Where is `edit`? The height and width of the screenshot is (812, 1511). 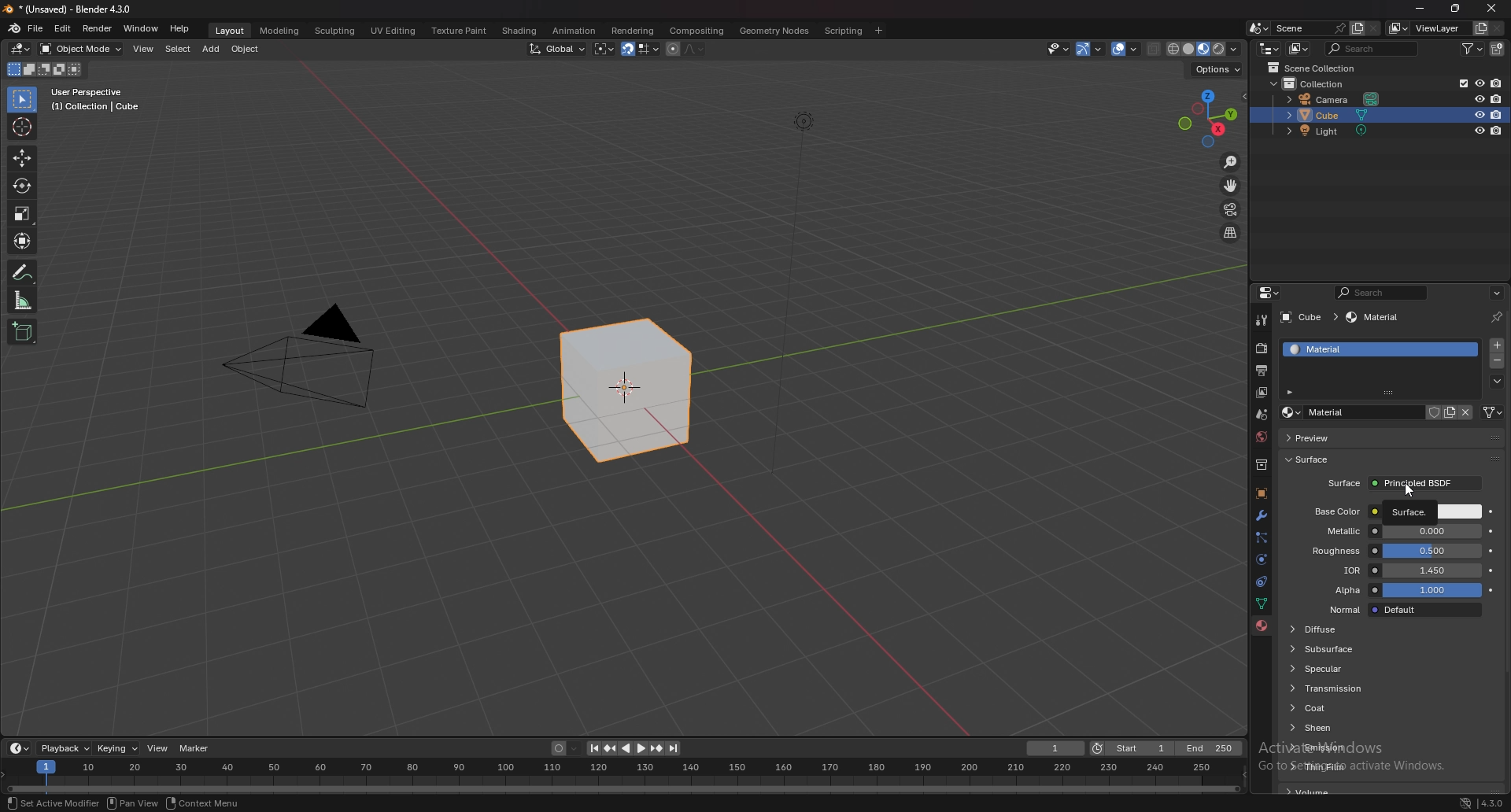 edit is located at coordinates (65, 28).